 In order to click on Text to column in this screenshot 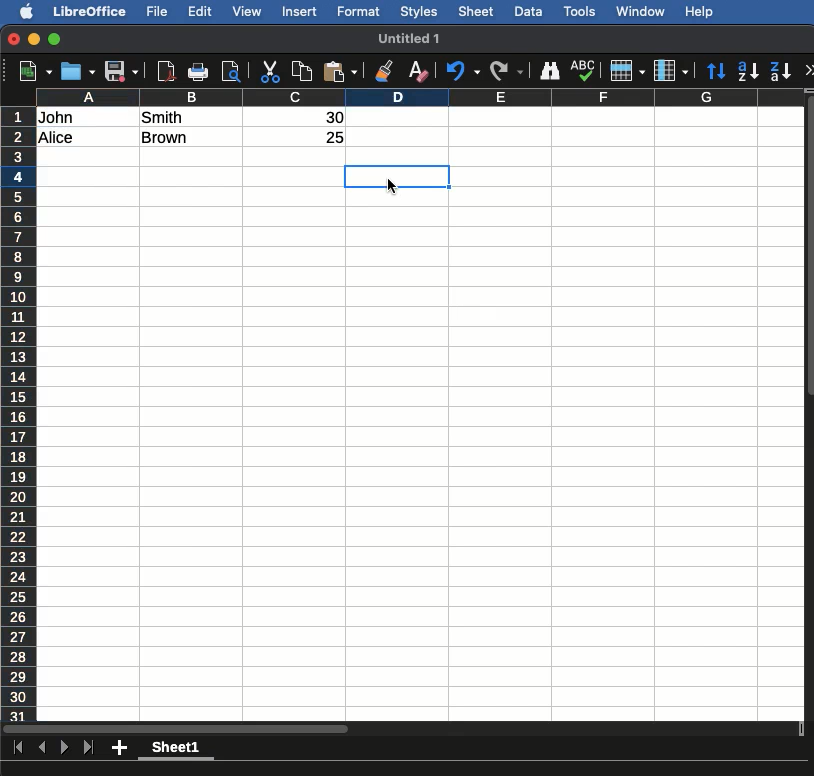, I will do `click(193, 127)`.